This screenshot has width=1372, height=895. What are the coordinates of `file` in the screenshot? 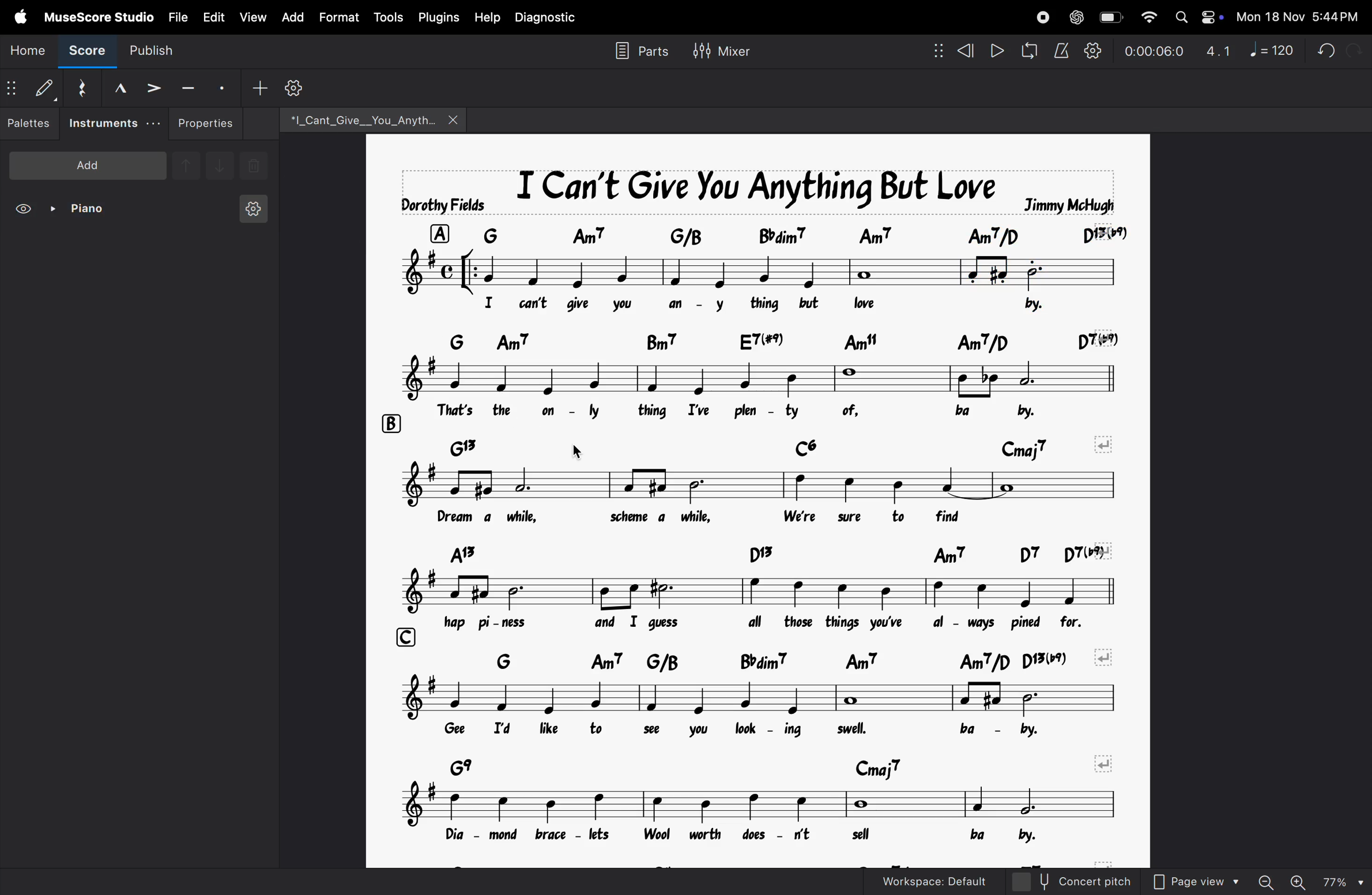 It's located at (178, 18).